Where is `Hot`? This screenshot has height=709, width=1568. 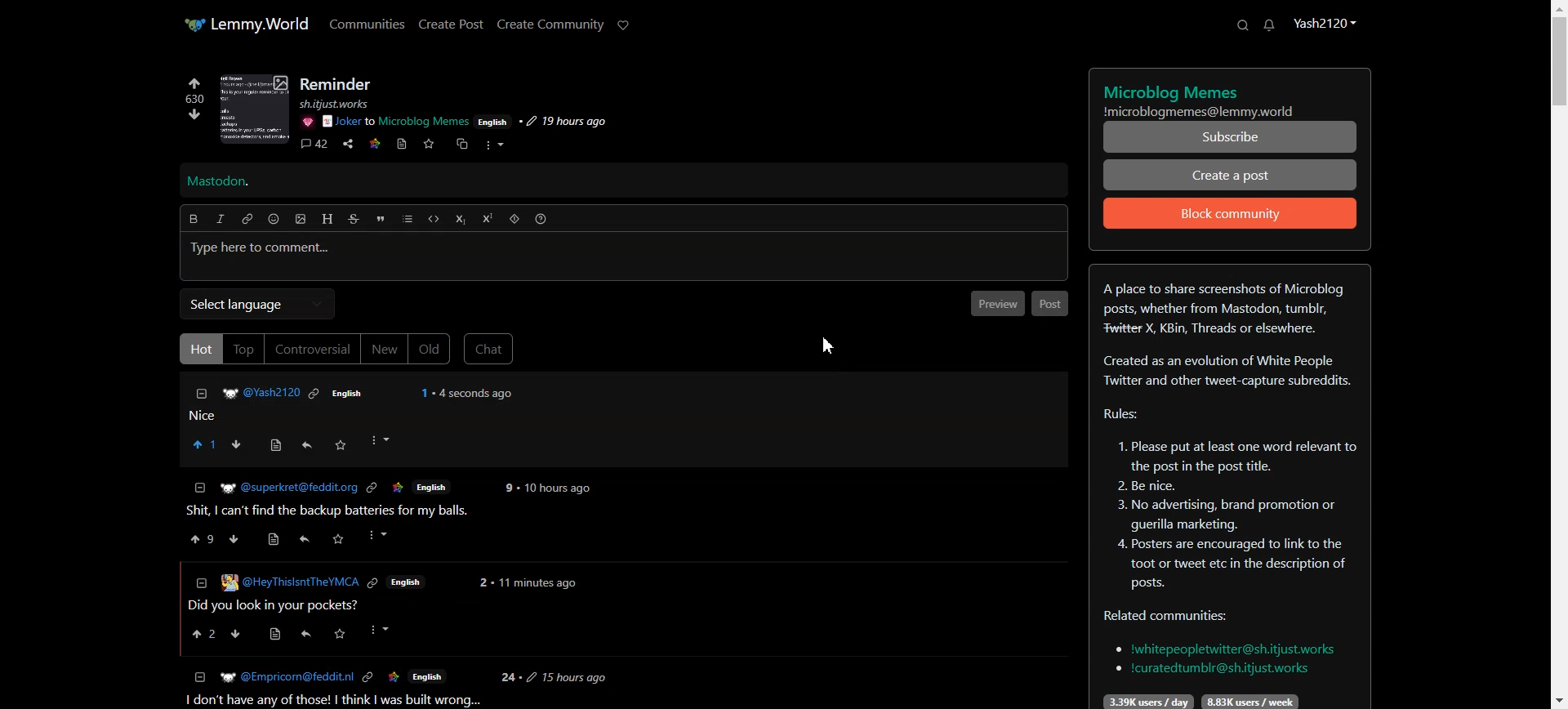 Hot is located at coordinates (198, 348).